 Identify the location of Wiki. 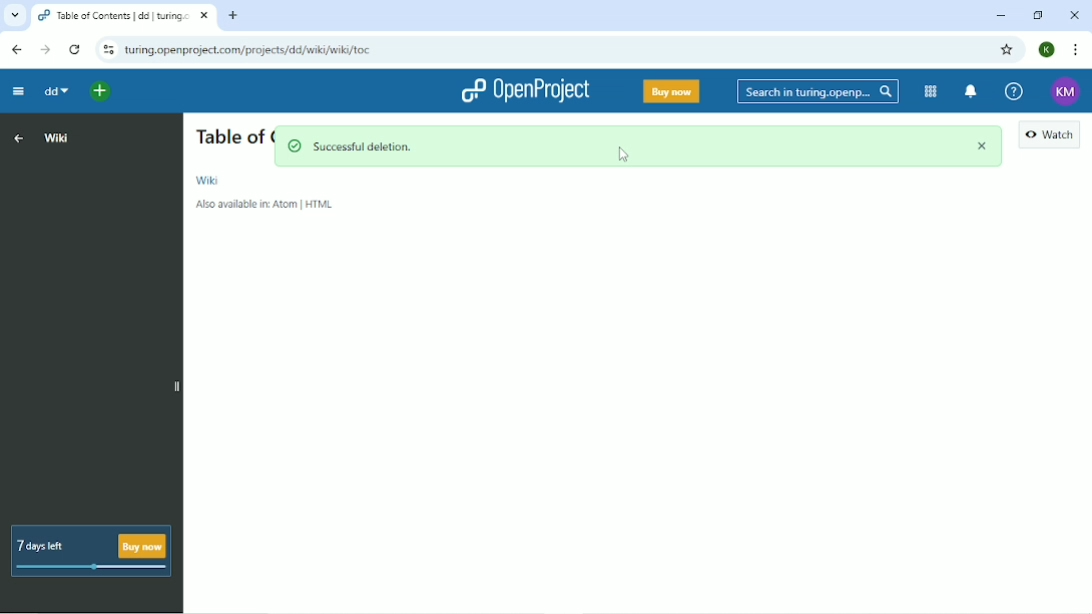
(208, 180).